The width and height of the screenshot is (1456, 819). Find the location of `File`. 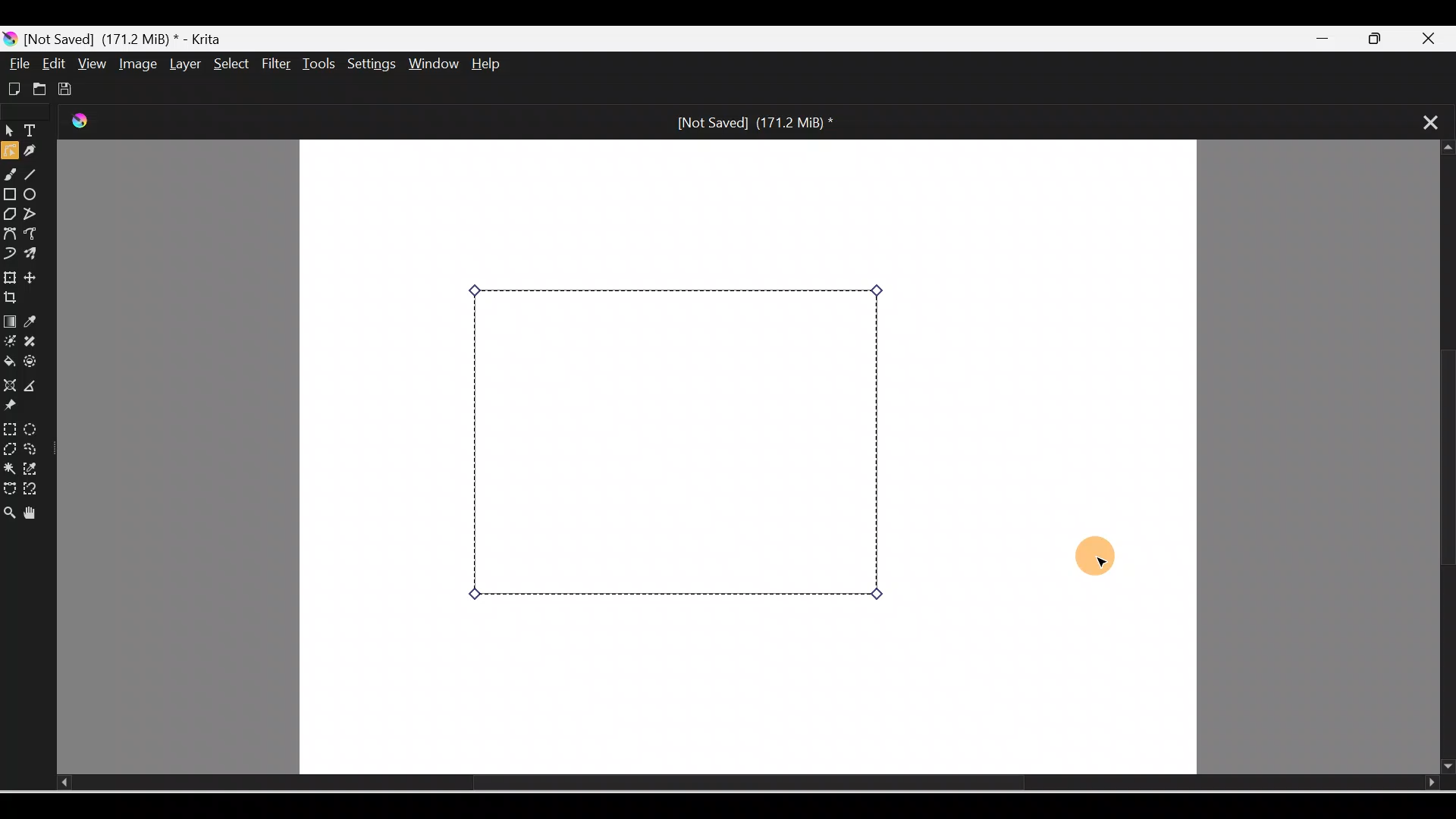

File is located at coordinates (20, 64).